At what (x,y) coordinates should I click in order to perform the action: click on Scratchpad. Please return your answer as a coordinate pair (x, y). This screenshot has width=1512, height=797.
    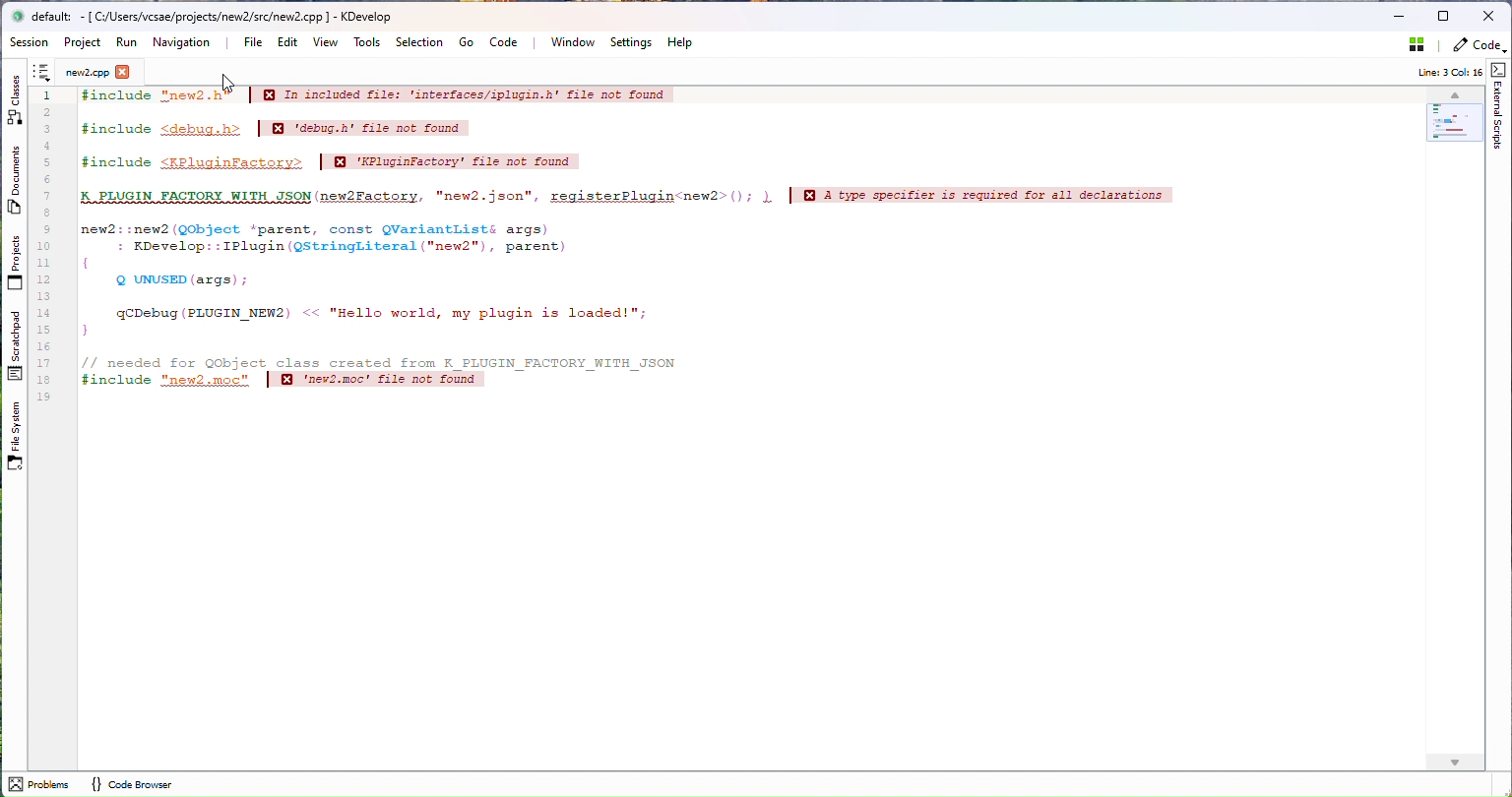
    Looking at the image, I should click on (20, 346).